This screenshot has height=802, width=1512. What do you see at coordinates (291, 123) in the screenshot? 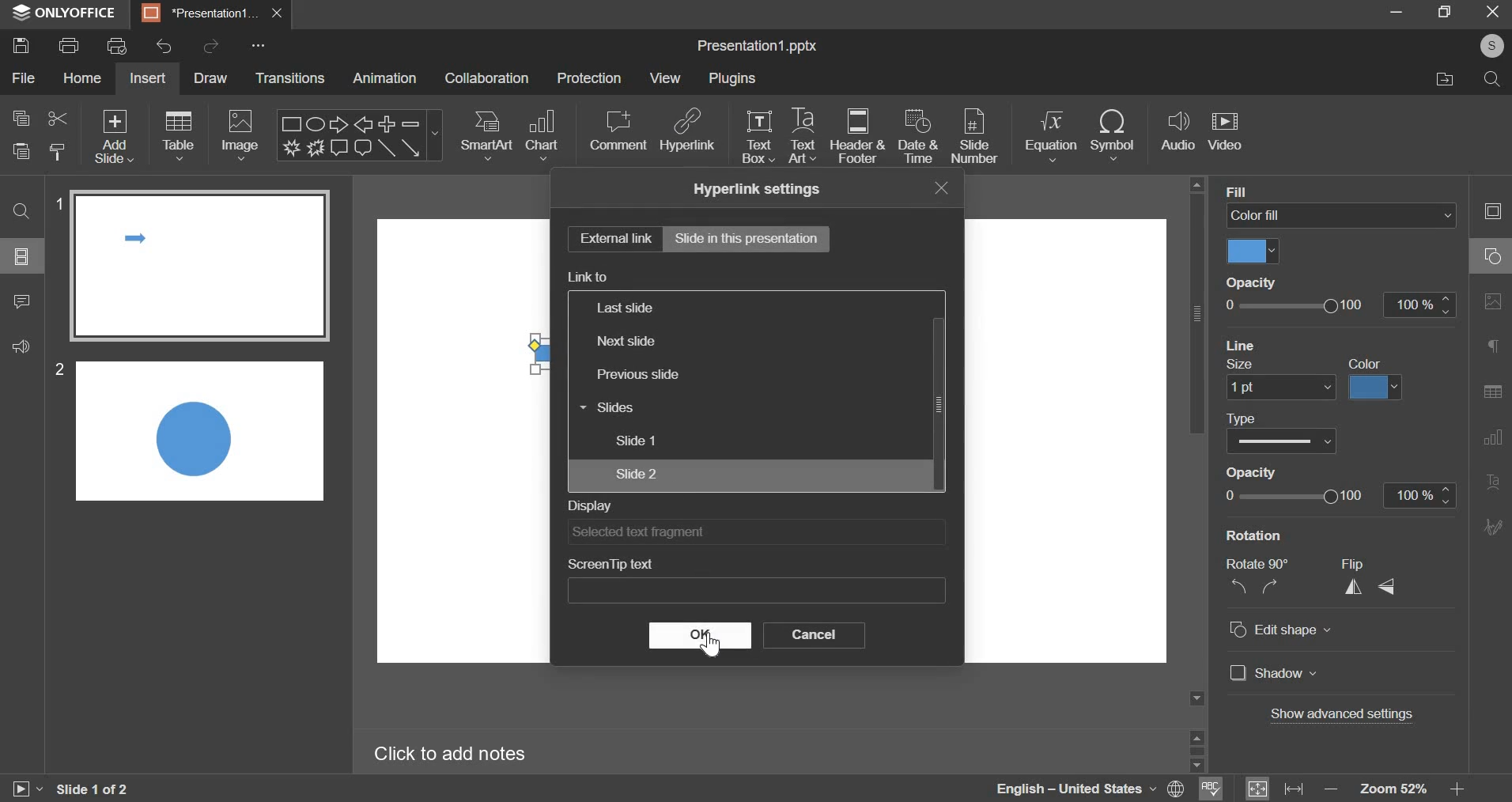
I see `Rectangle` at bounding box center [291, 123].